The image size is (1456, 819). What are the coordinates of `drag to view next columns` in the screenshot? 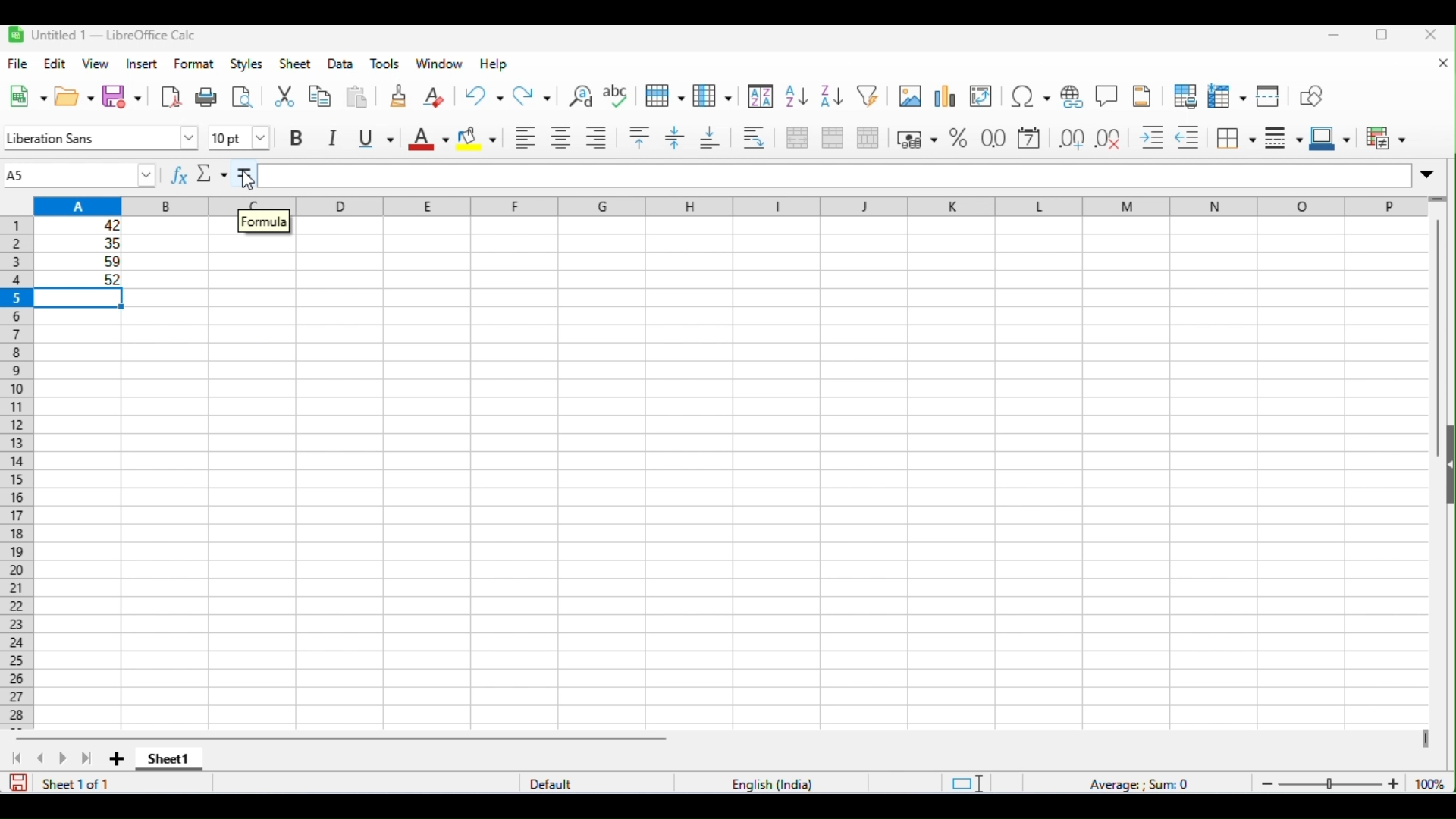 It's located at (1423, 739).